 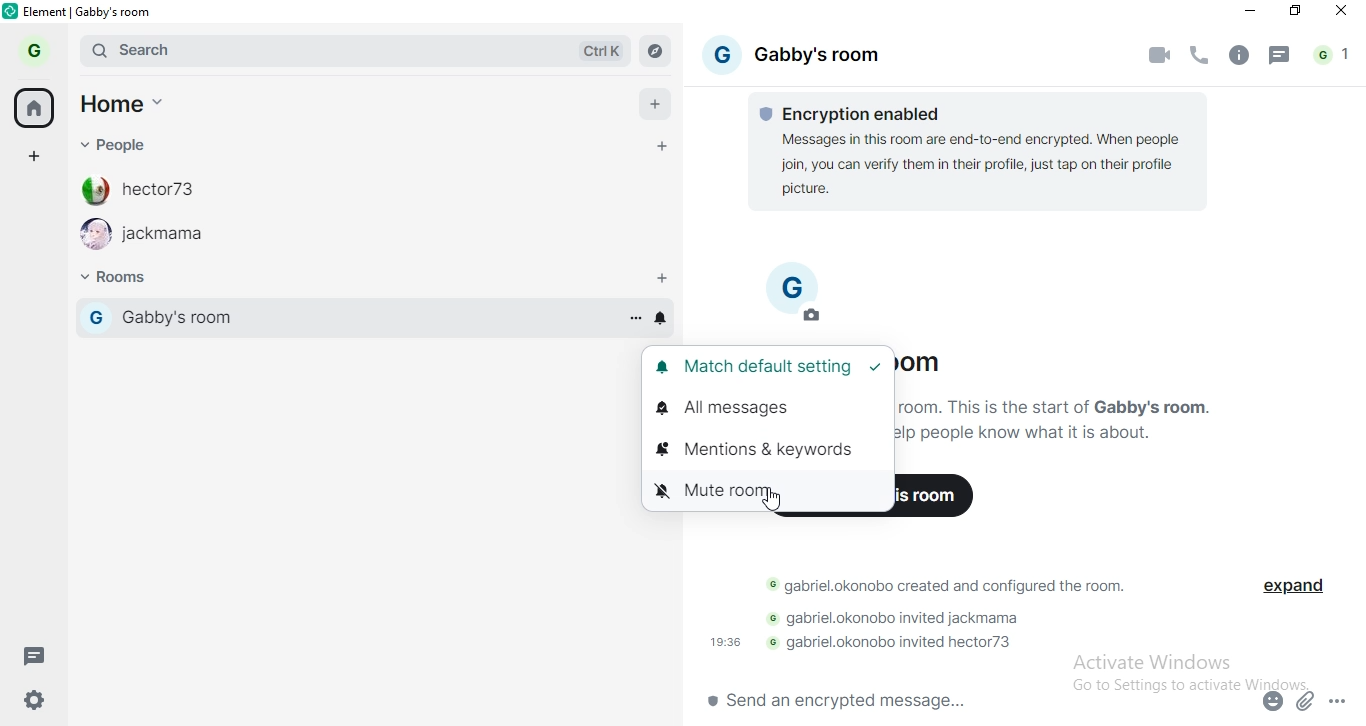 I want to click on 19:36, so click(x=726, y=643).